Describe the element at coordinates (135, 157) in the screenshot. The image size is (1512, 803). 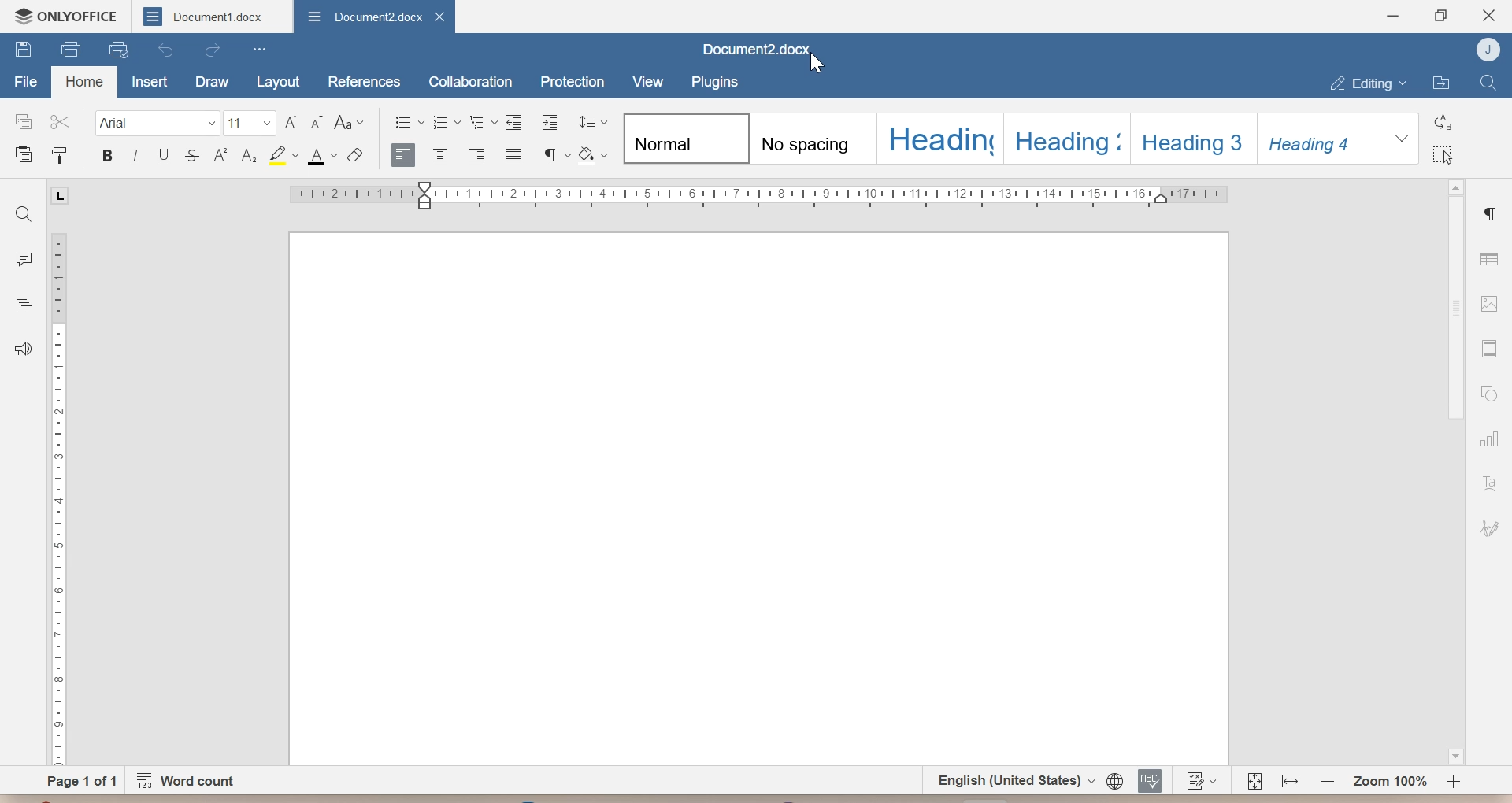
I see `Itallic` at that location.